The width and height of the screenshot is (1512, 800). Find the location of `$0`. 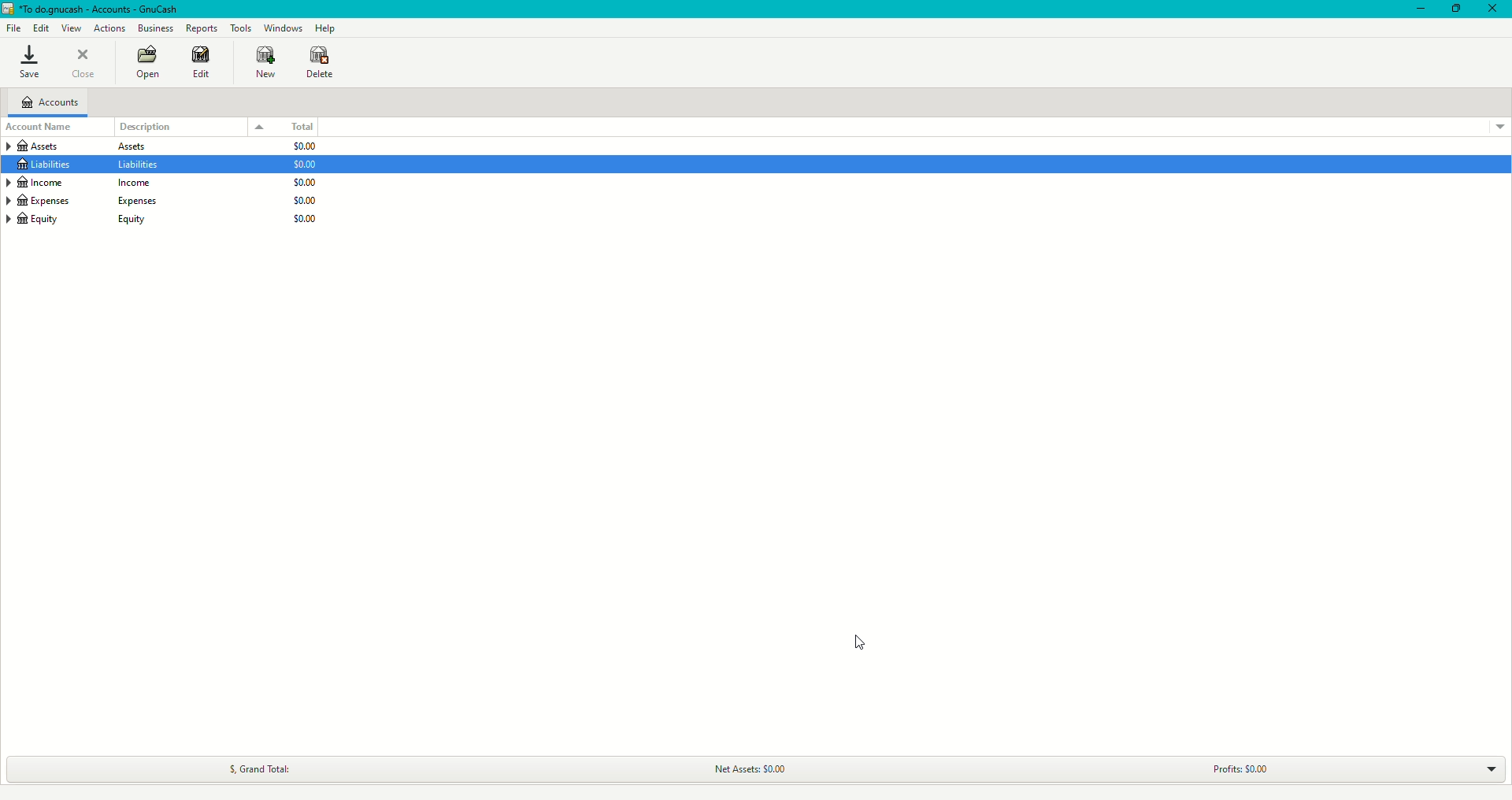

$0 is located at coordinates (312, 184).